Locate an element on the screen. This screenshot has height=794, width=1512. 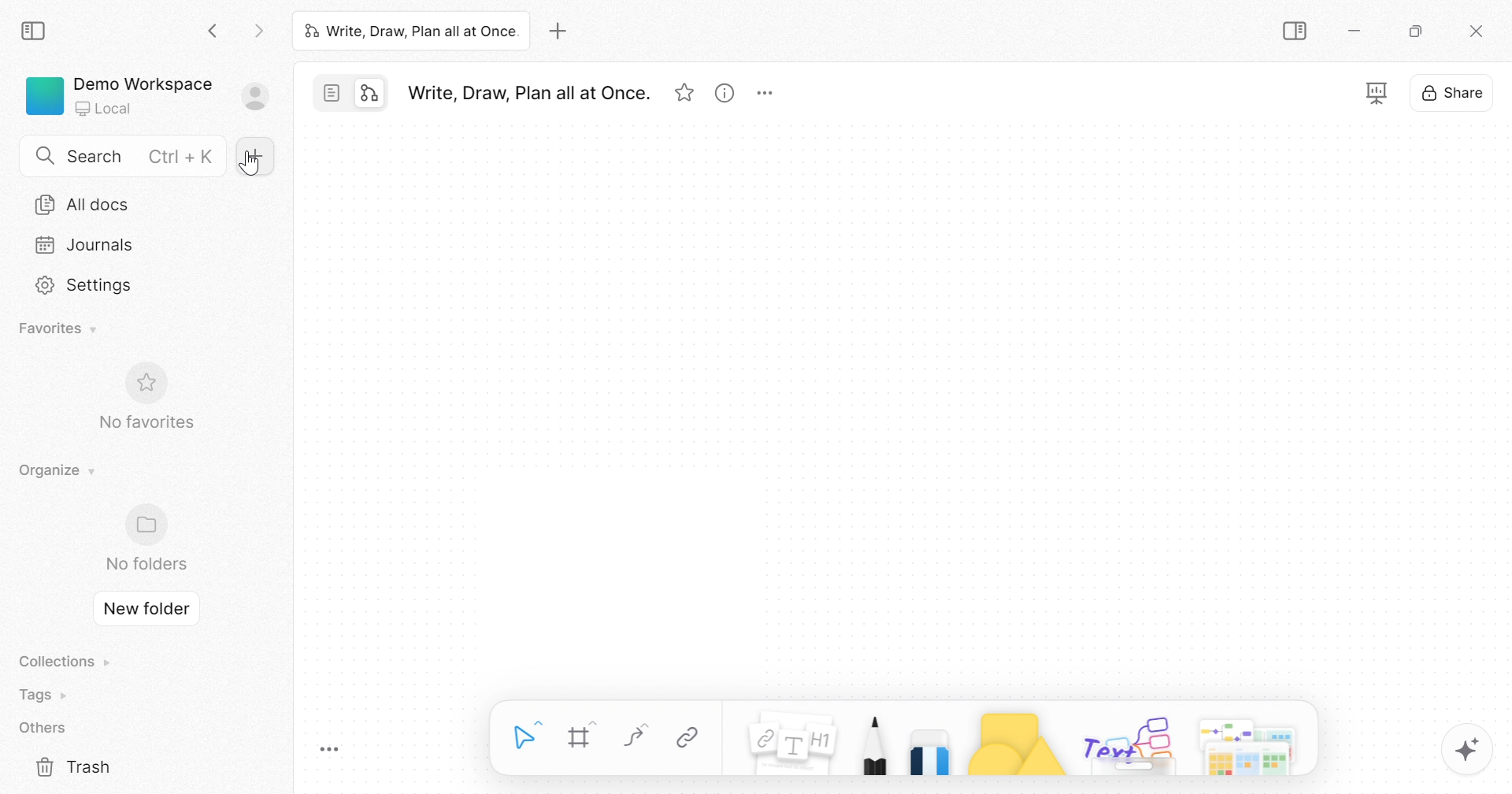
Collapse sidebar is located at coordinates (34, 32).